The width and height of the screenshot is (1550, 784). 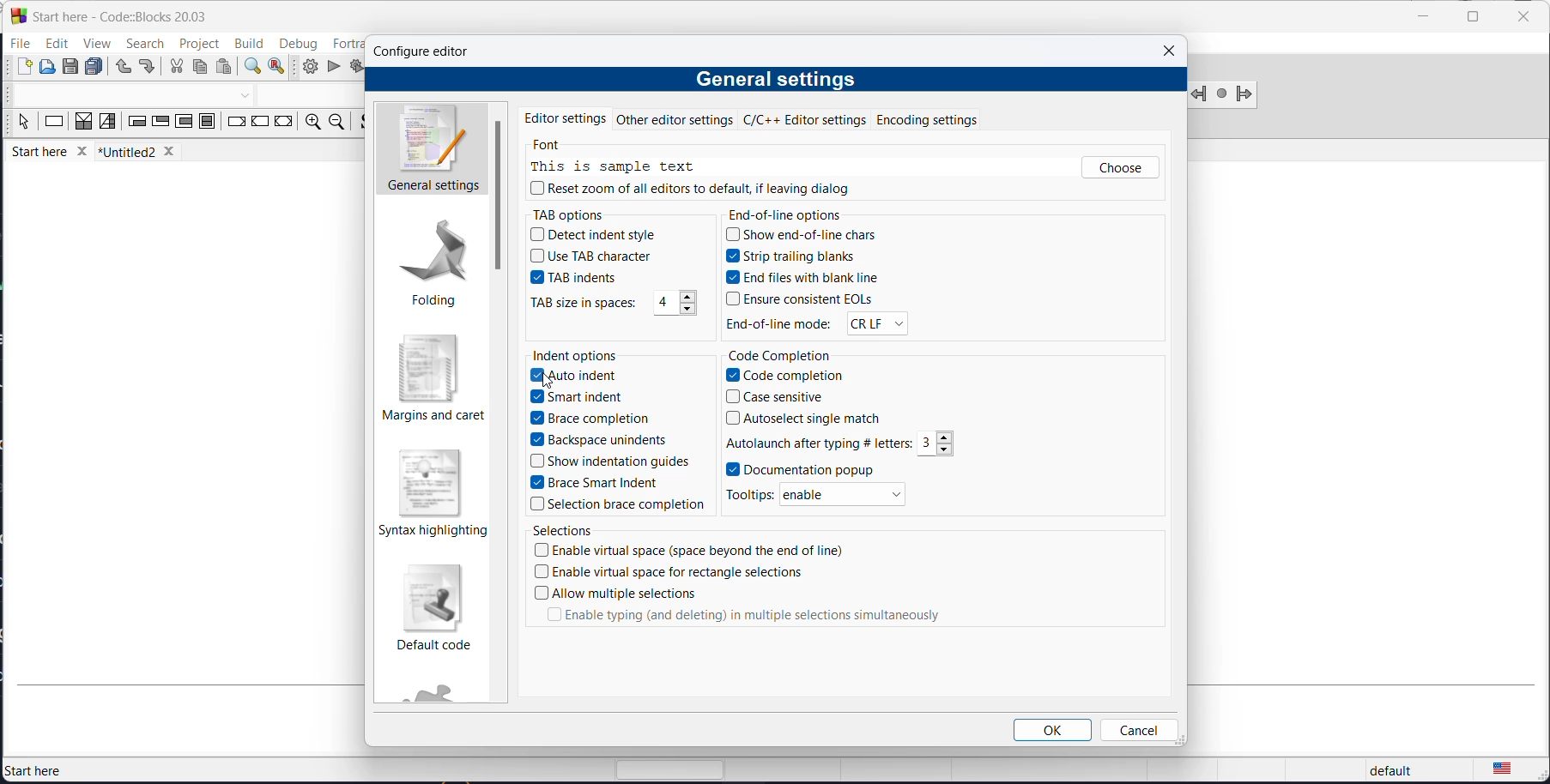 What do you see at coordinates (23, 125) in the screenshot?
I see `select` at bounding box center [23, 125].